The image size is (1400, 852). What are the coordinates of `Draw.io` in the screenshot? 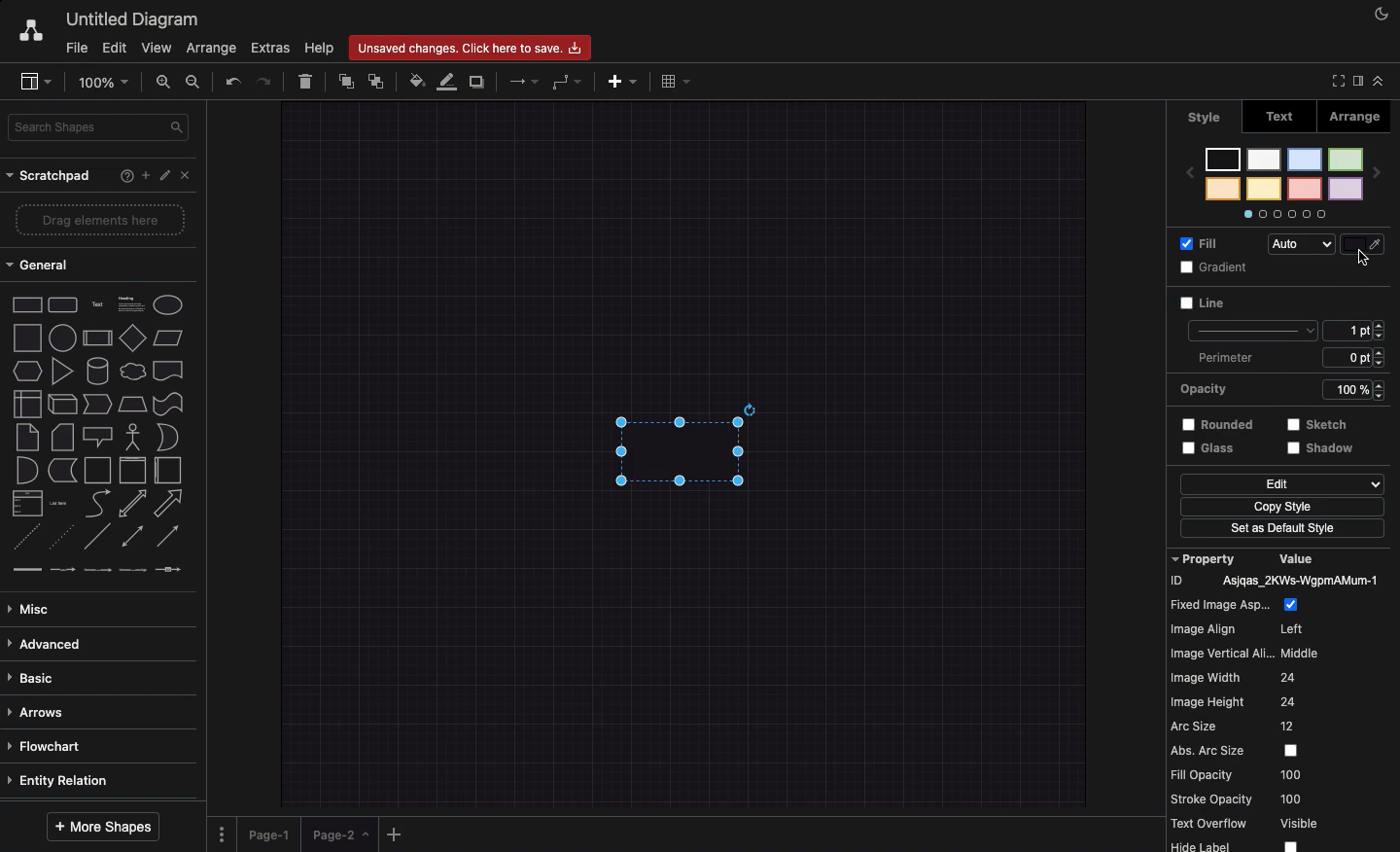 It's located at (30, 29).